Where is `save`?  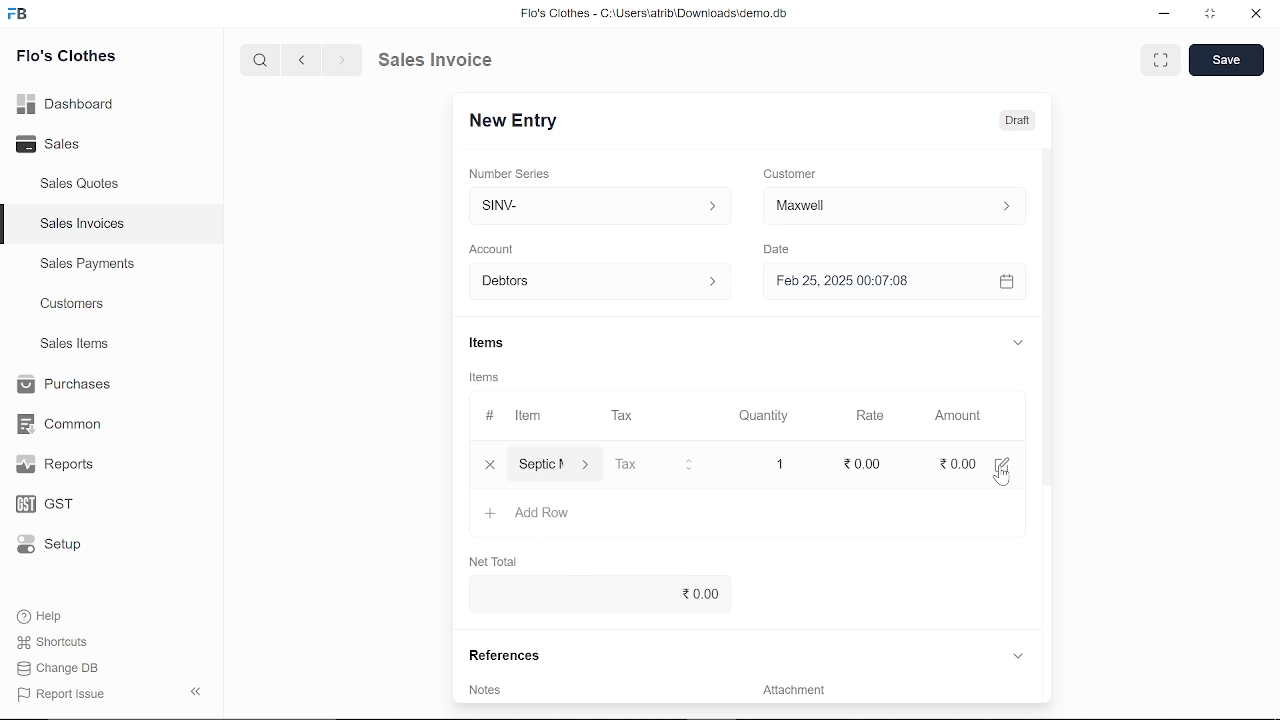
save is located at coordinates (1227, 61).